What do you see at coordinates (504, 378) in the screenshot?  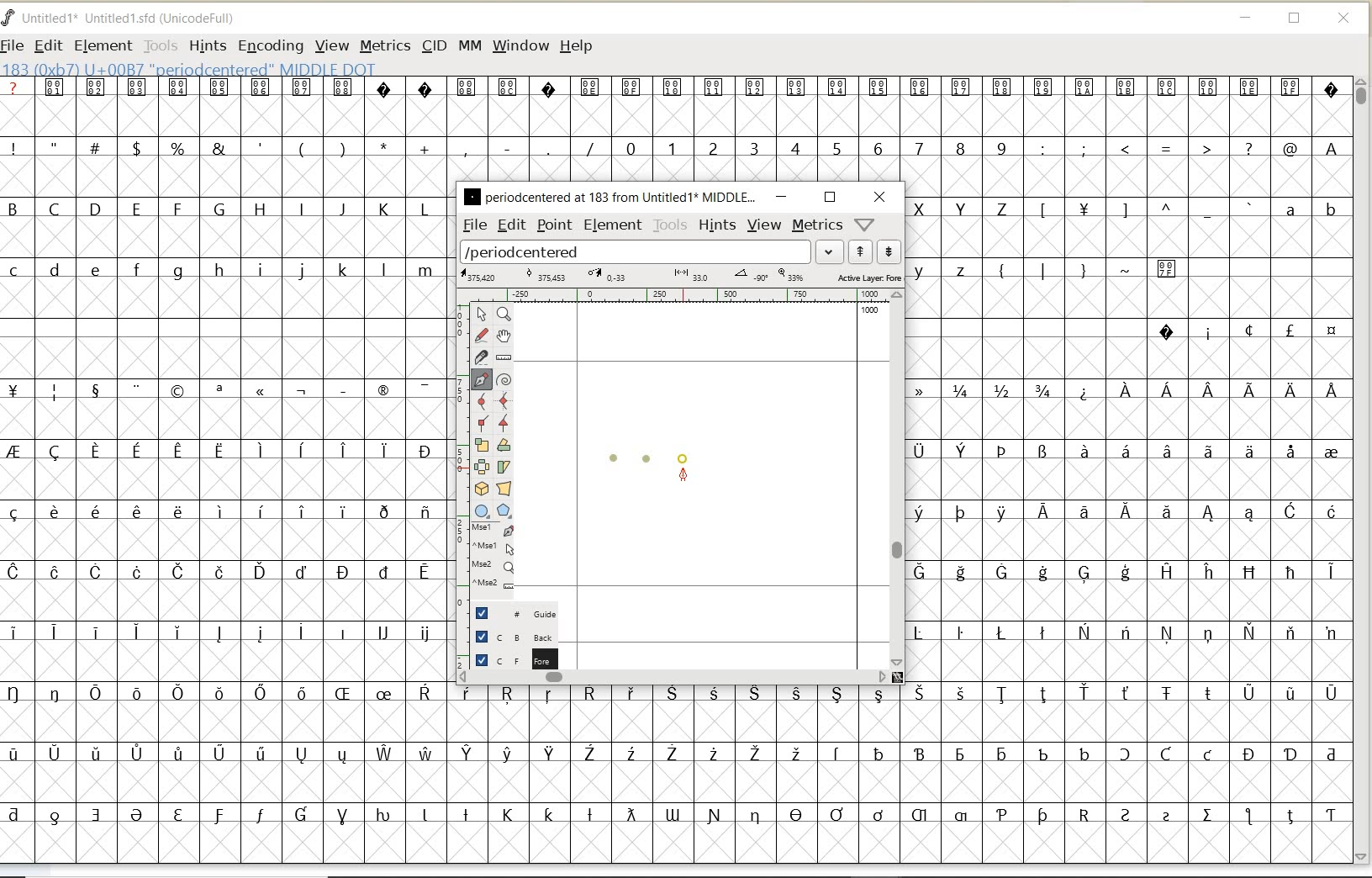 I see `change whether spiro is active or not` at bounding box center [504, 378].